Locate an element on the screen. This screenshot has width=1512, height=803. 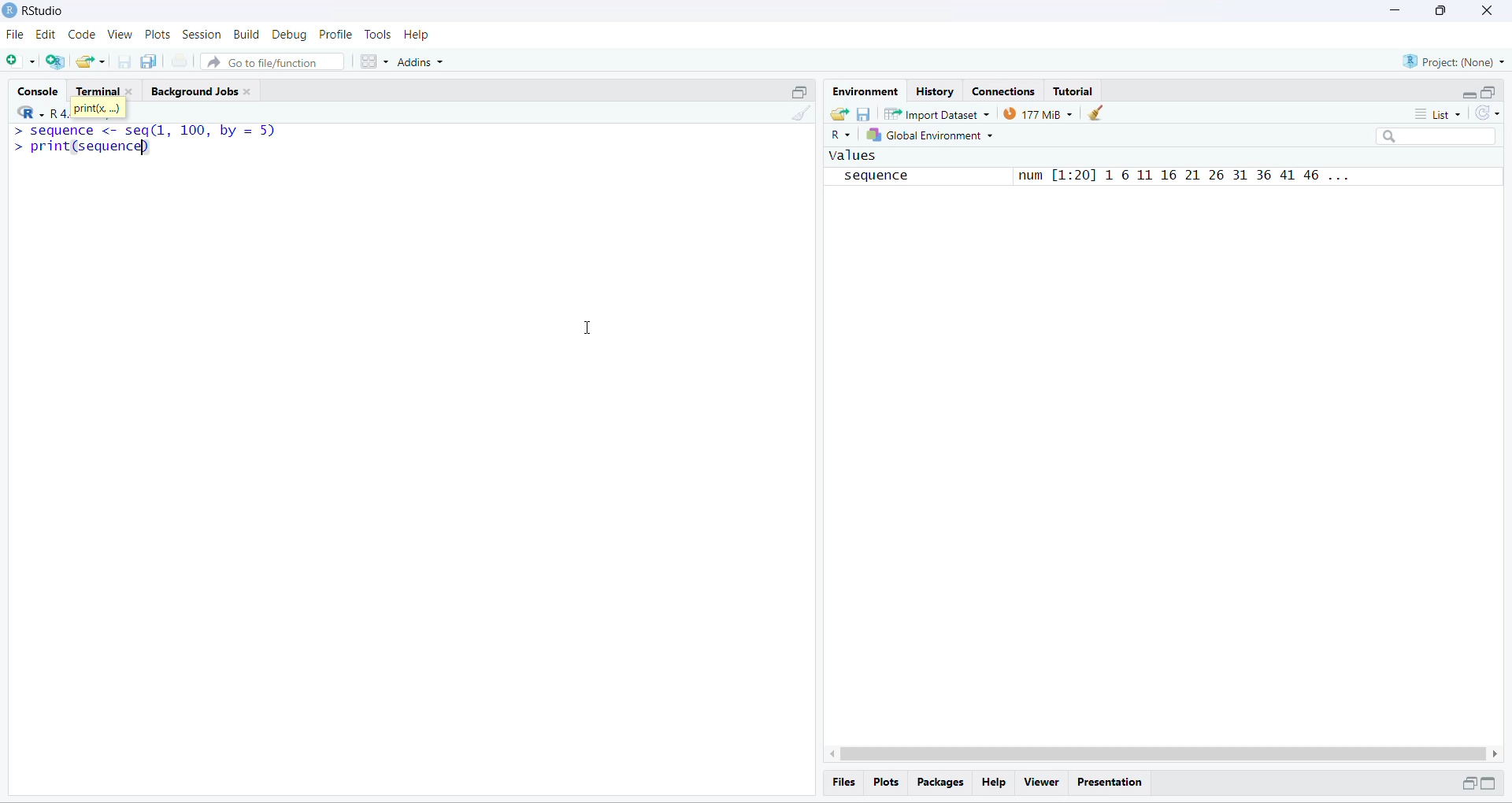
Expand/collapse is located at coordinates (1468, 94).